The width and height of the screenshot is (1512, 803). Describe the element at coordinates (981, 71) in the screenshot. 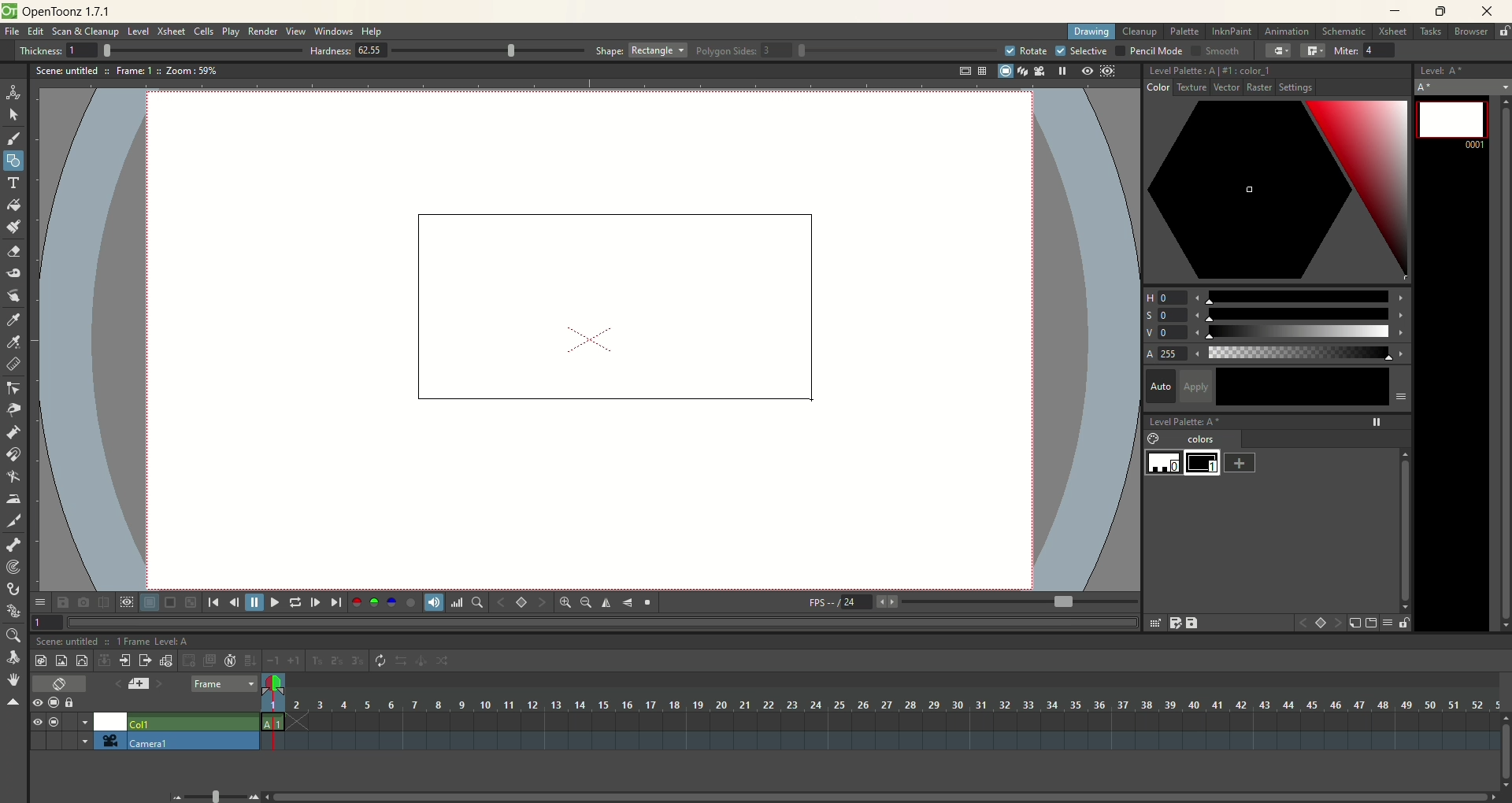

I see `field guide` at that location.